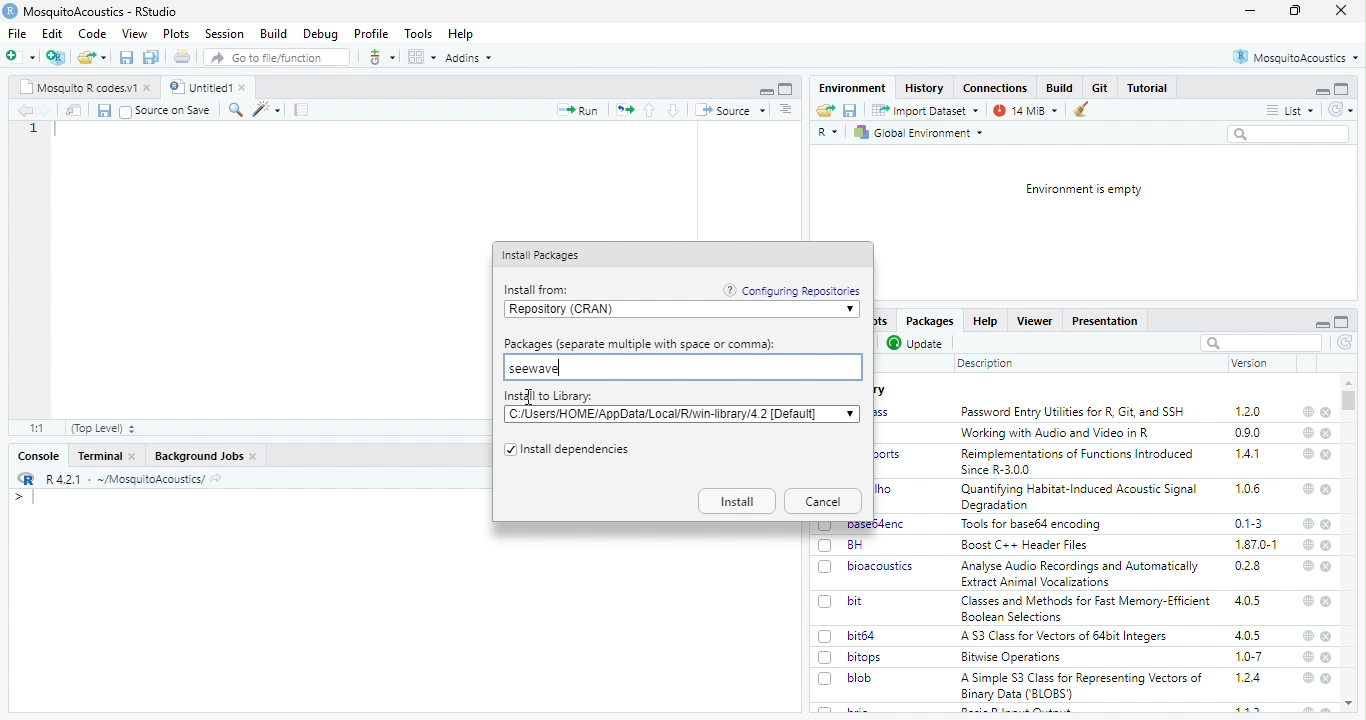 The image size is (1366, 720). Describe the element at coordinates (127, 58) in the screenshot. I see `save` at that location.